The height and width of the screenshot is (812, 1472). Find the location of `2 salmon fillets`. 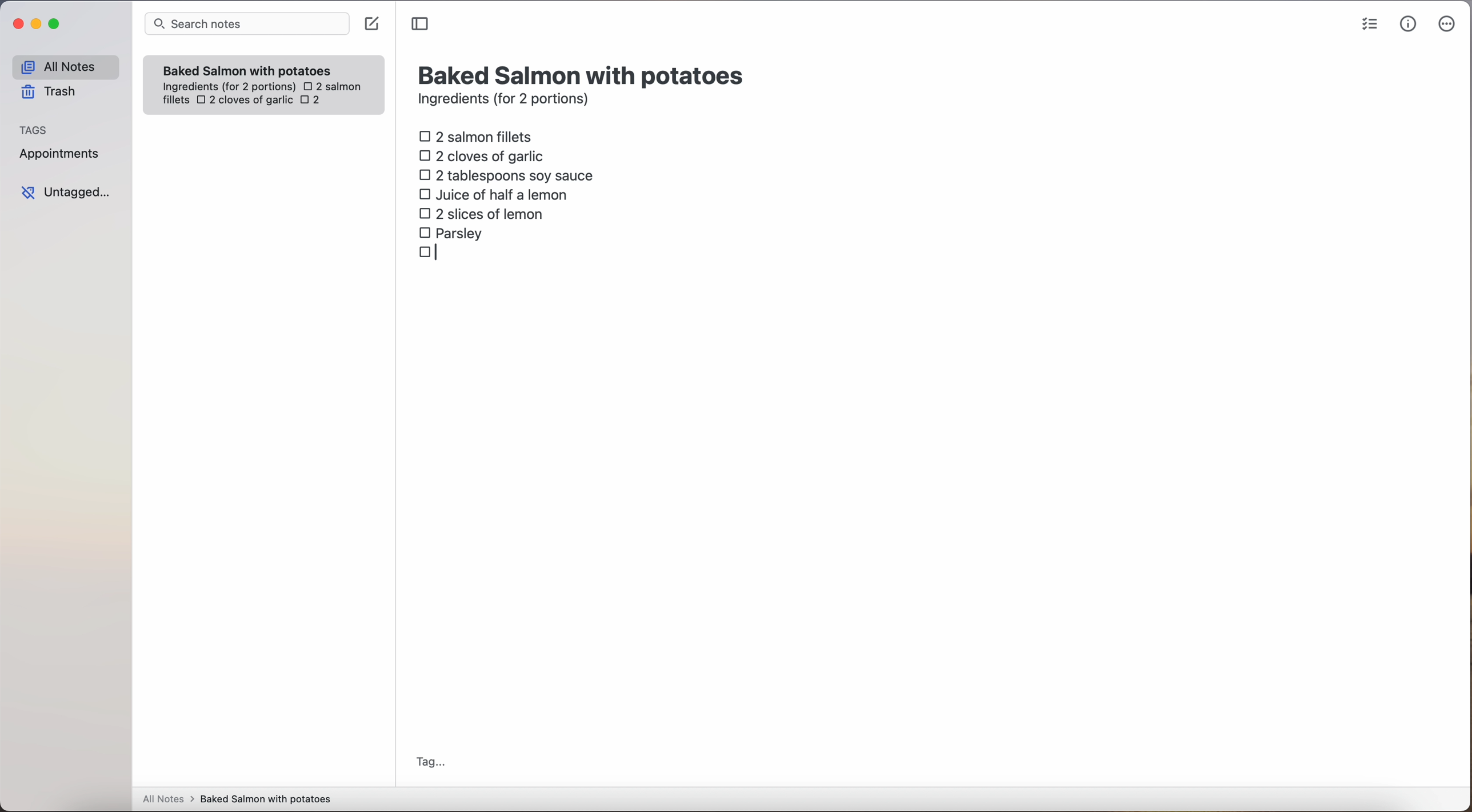

2 salmon fillets is located at coordinates (479, 135).